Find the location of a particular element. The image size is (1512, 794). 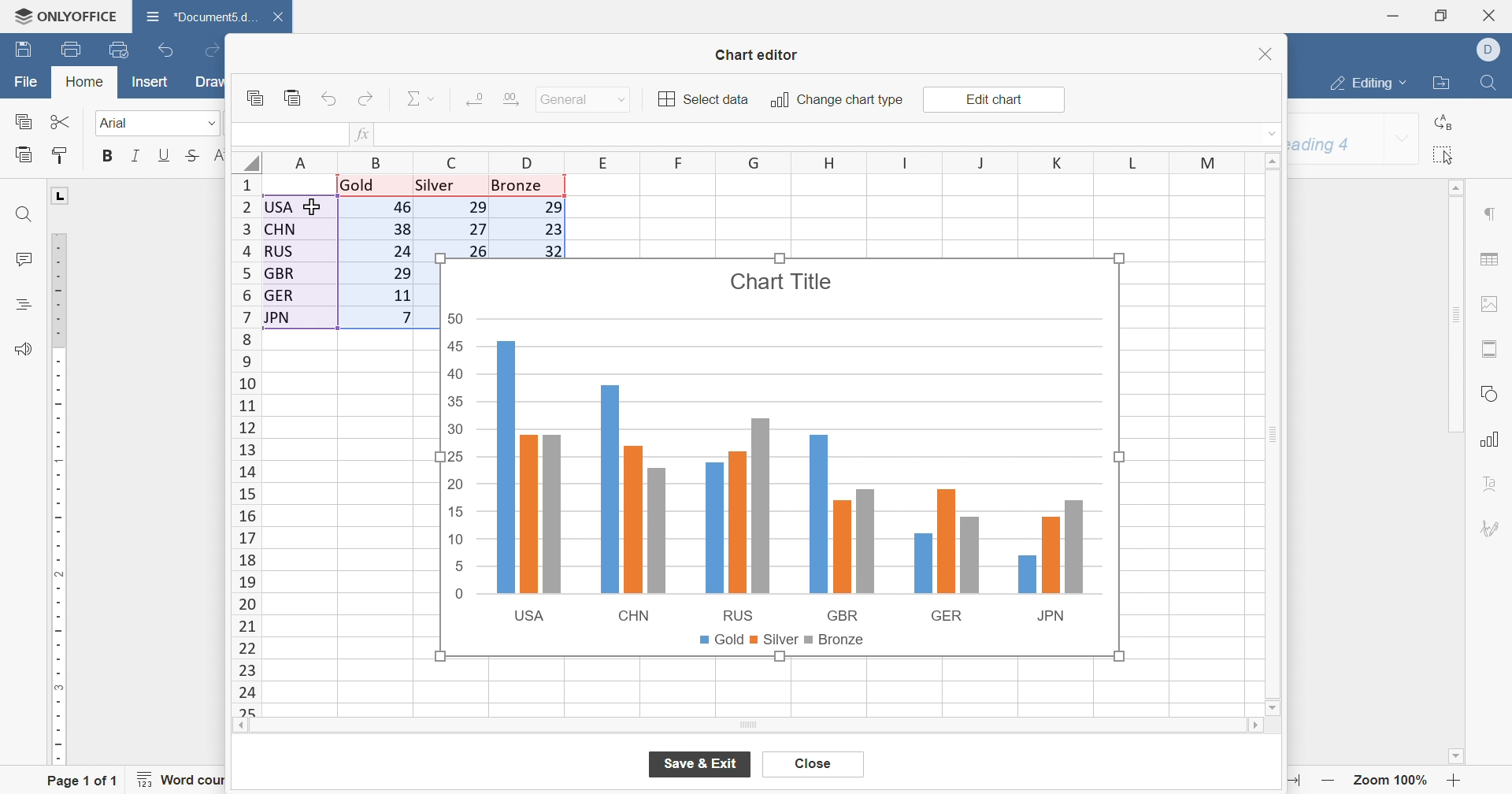

headings is located at coordinates (24, 305).